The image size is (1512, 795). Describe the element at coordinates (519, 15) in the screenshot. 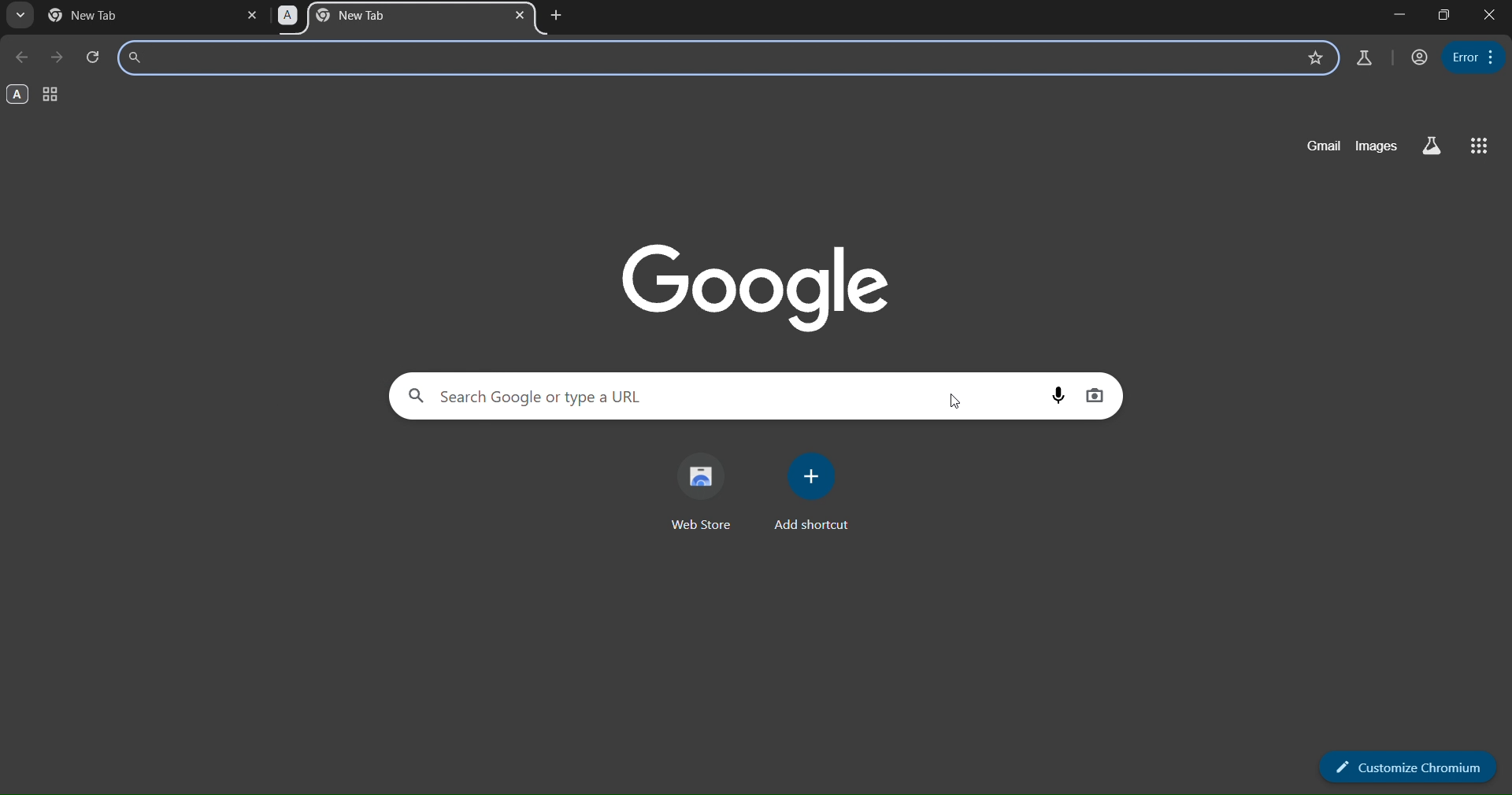

I see `close` at that location.